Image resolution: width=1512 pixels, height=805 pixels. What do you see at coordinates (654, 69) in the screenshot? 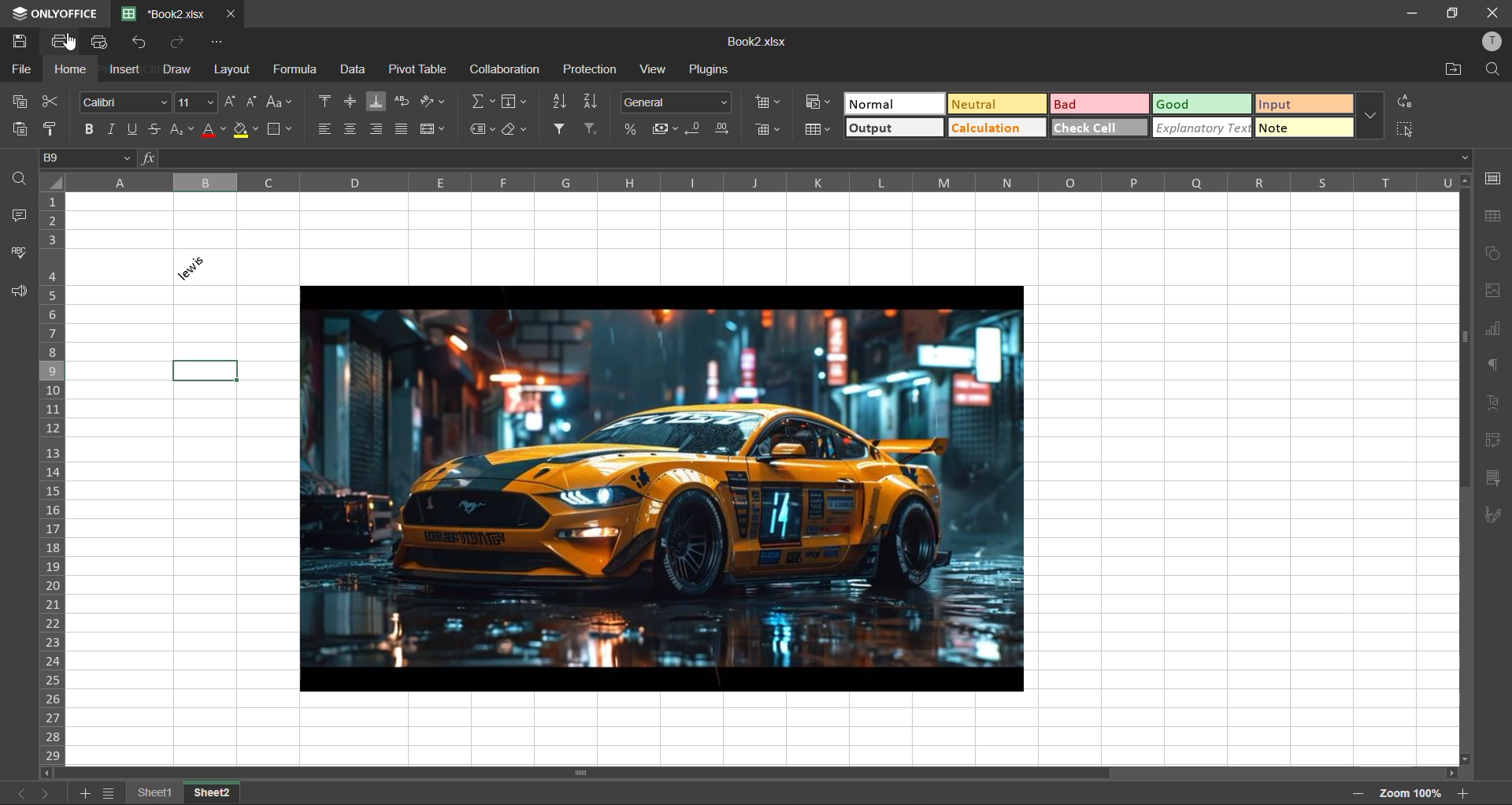
I see `view` at bounding box center [654, 69].